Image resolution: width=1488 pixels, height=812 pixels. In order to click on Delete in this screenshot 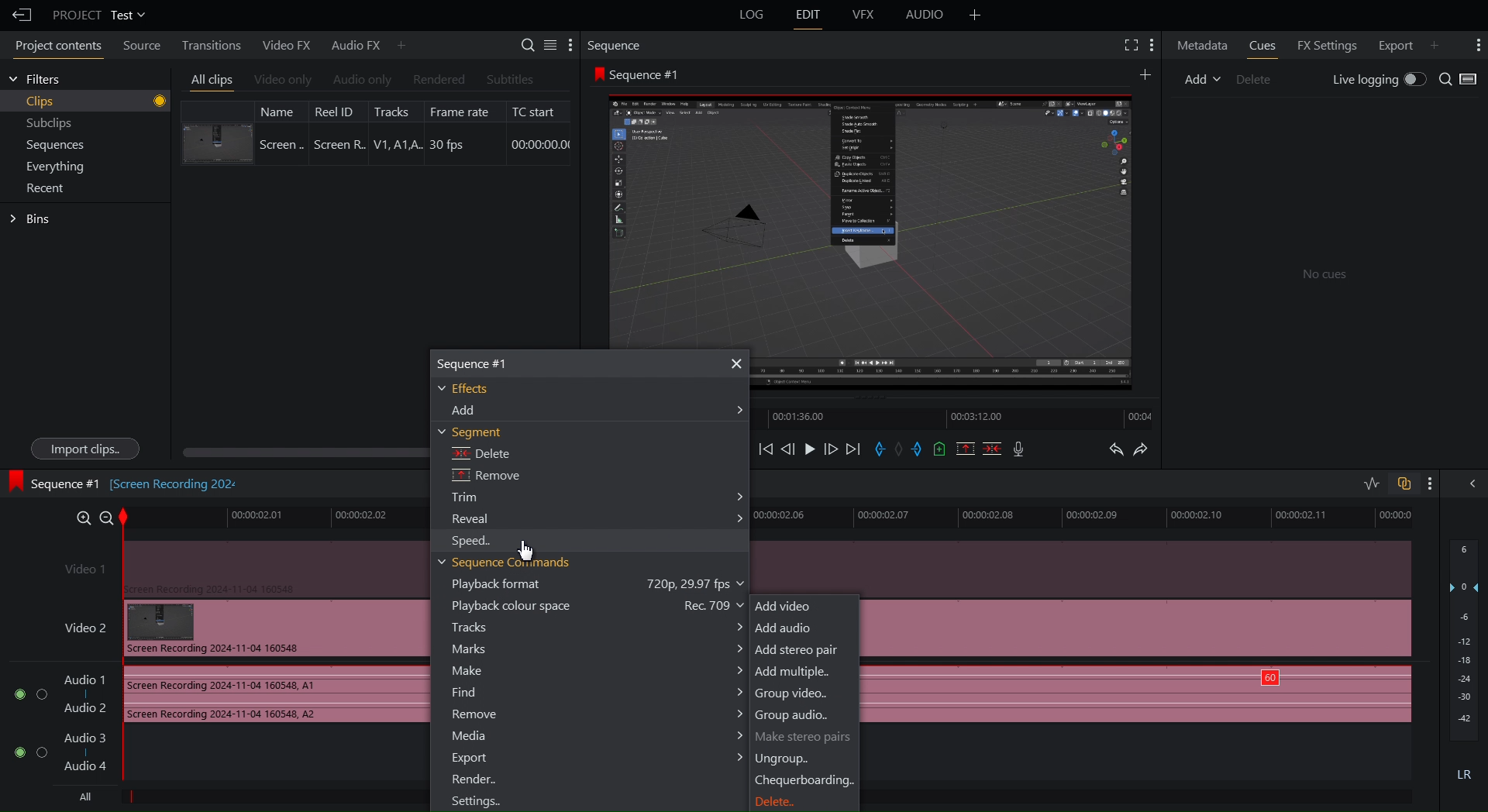, I will do `click(1260, 77)`.